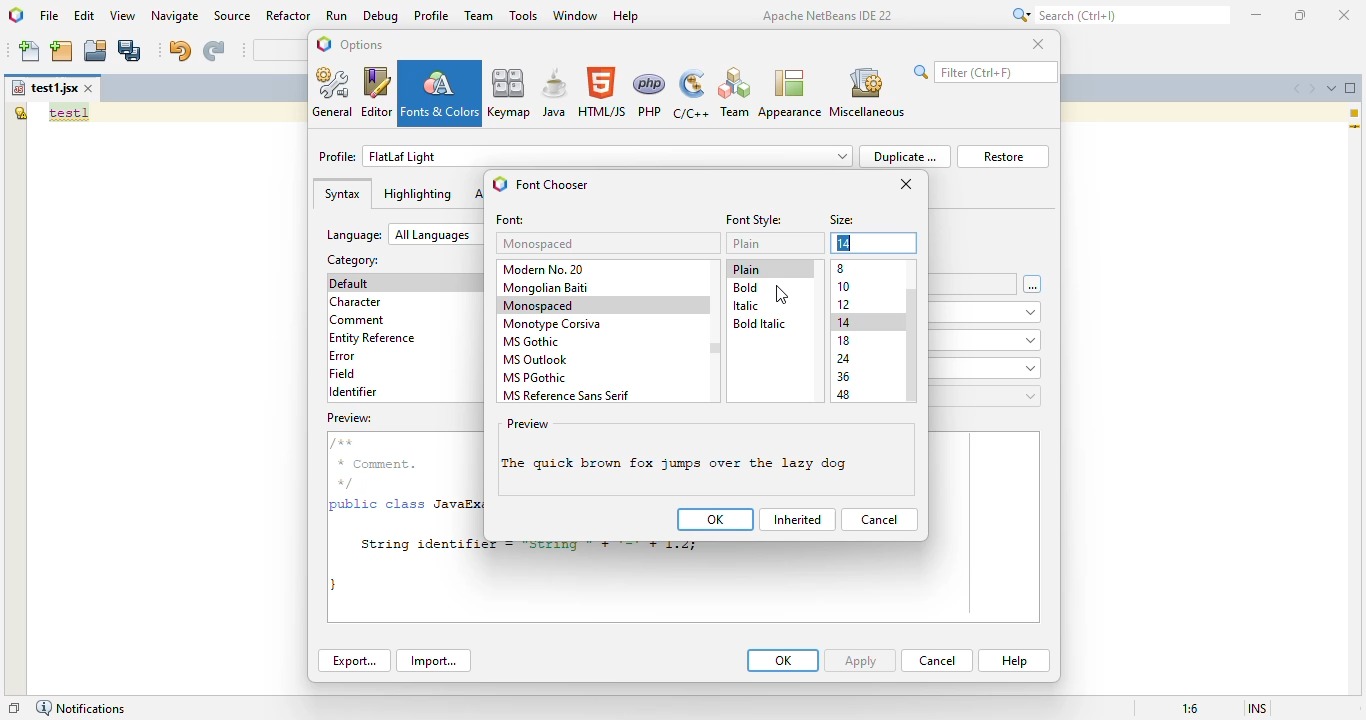 This screenshot has width=1366, height=720. I want to click on 8, so click(843, 268).